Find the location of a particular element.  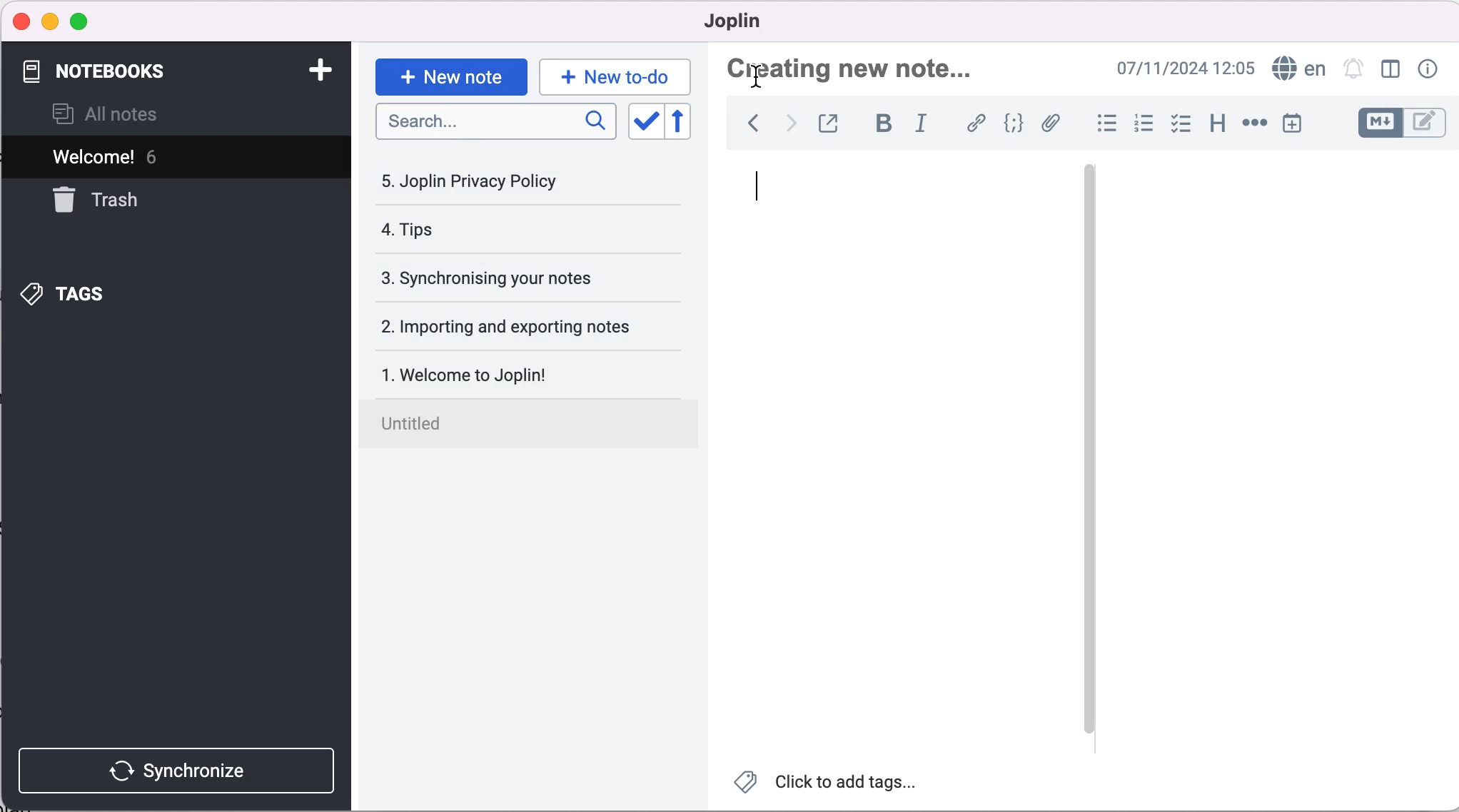

language is located at coordinates (1298, 70).